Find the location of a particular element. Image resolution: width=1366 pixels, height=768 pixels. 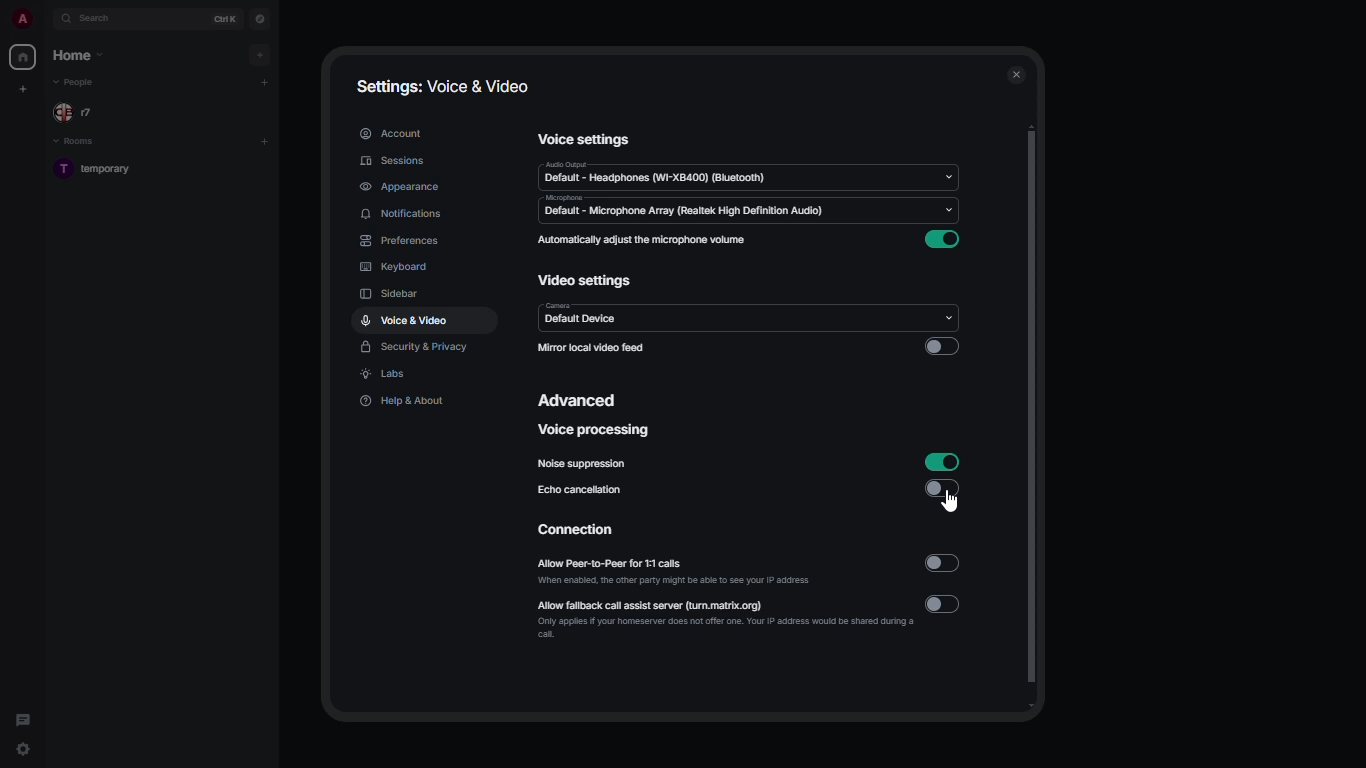

add is located at coordinates (269, 81).